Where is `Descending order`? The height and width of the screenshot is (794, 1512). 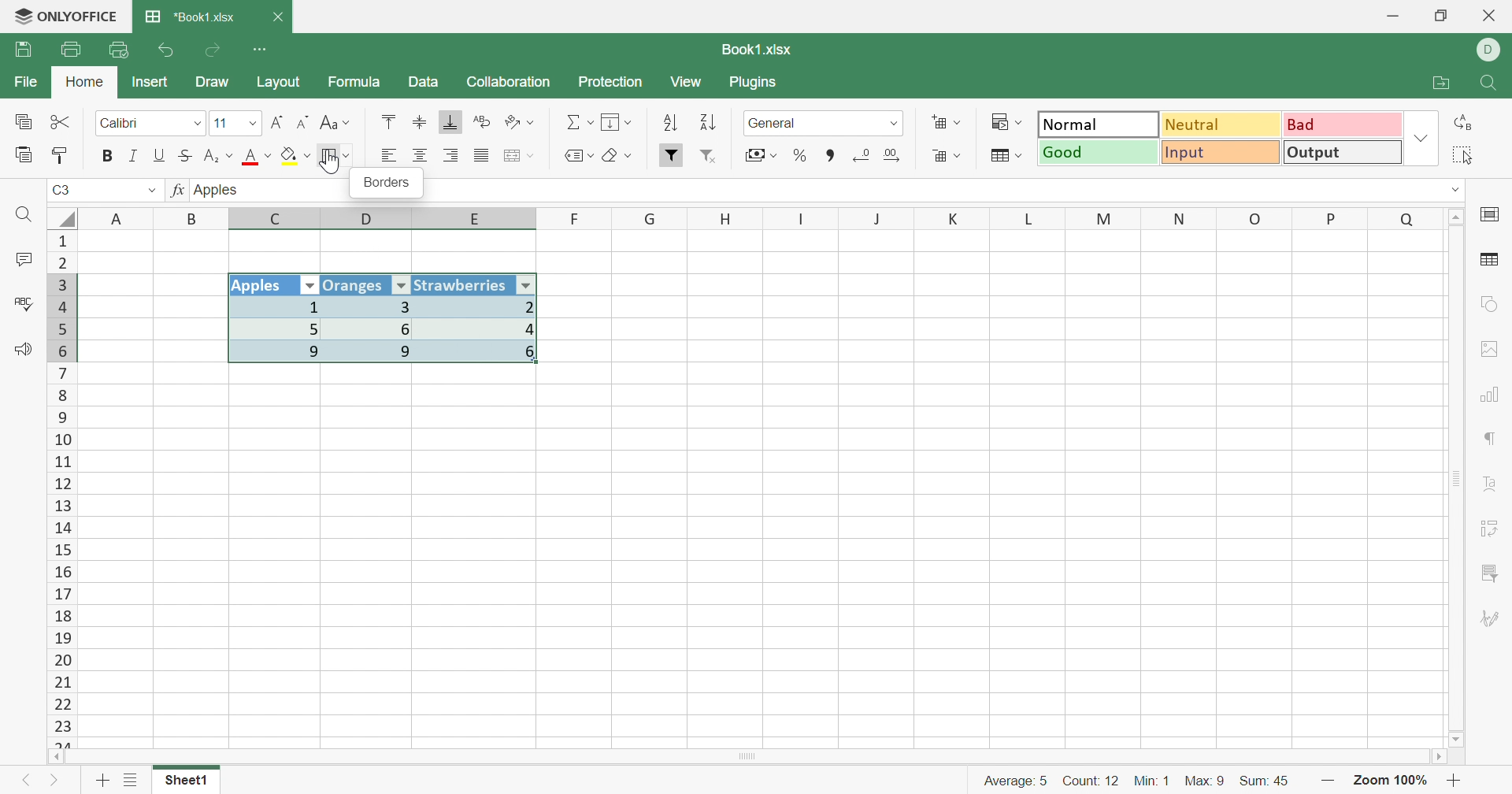 Descending order is located at coordinates (706, 124).